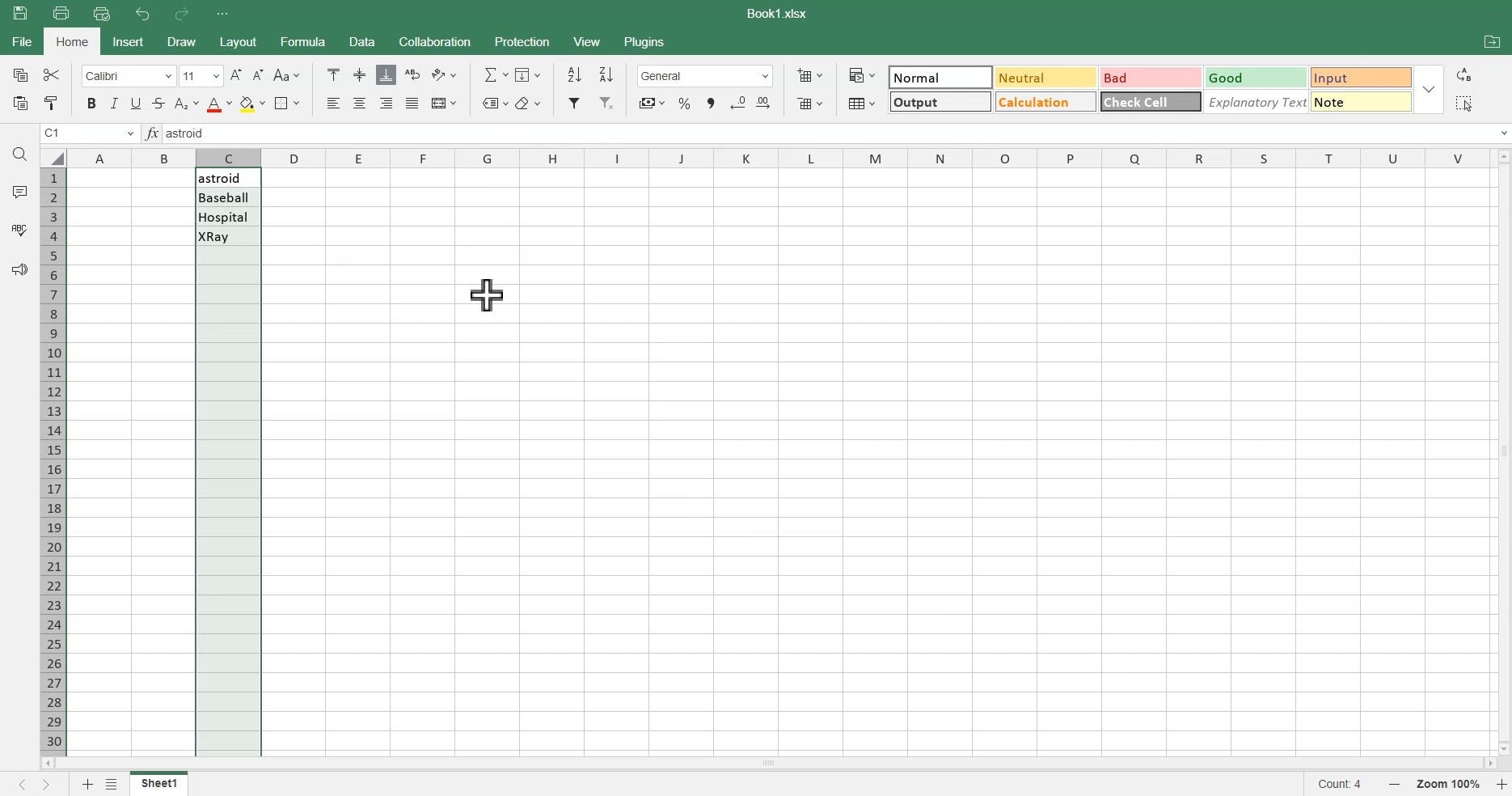 The width and height of the screenshot is (1512, 796). Describe the element at coordinates (179, 41) in the screenshot. I see `Draw` at that location.